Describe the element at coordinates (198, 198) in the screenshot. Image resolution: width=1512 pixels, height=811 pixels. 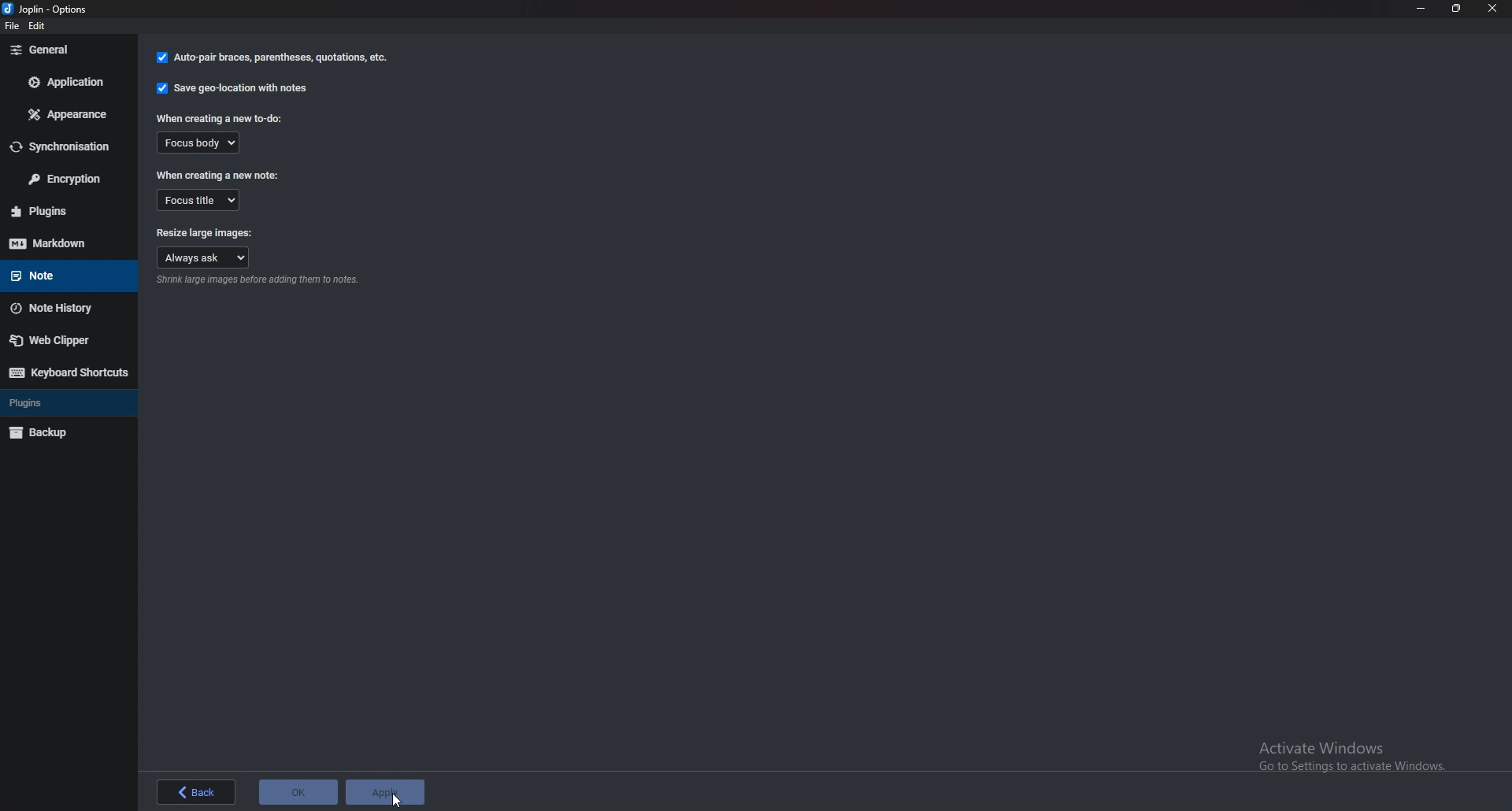
I see `Focus title` at that location.